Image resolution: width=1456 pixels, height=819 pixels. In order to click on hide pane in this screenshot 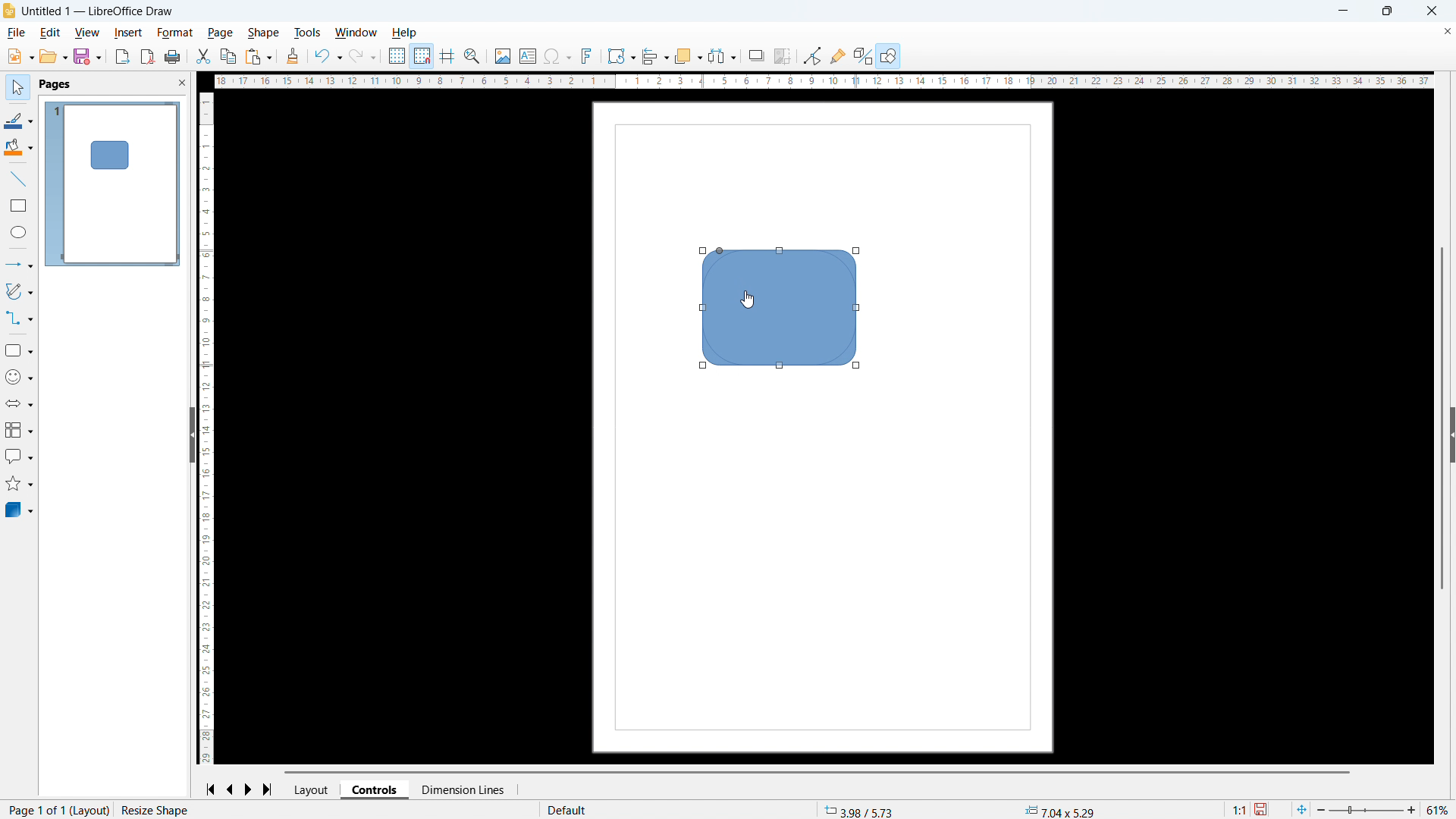, I will do `click(191, 435)`.